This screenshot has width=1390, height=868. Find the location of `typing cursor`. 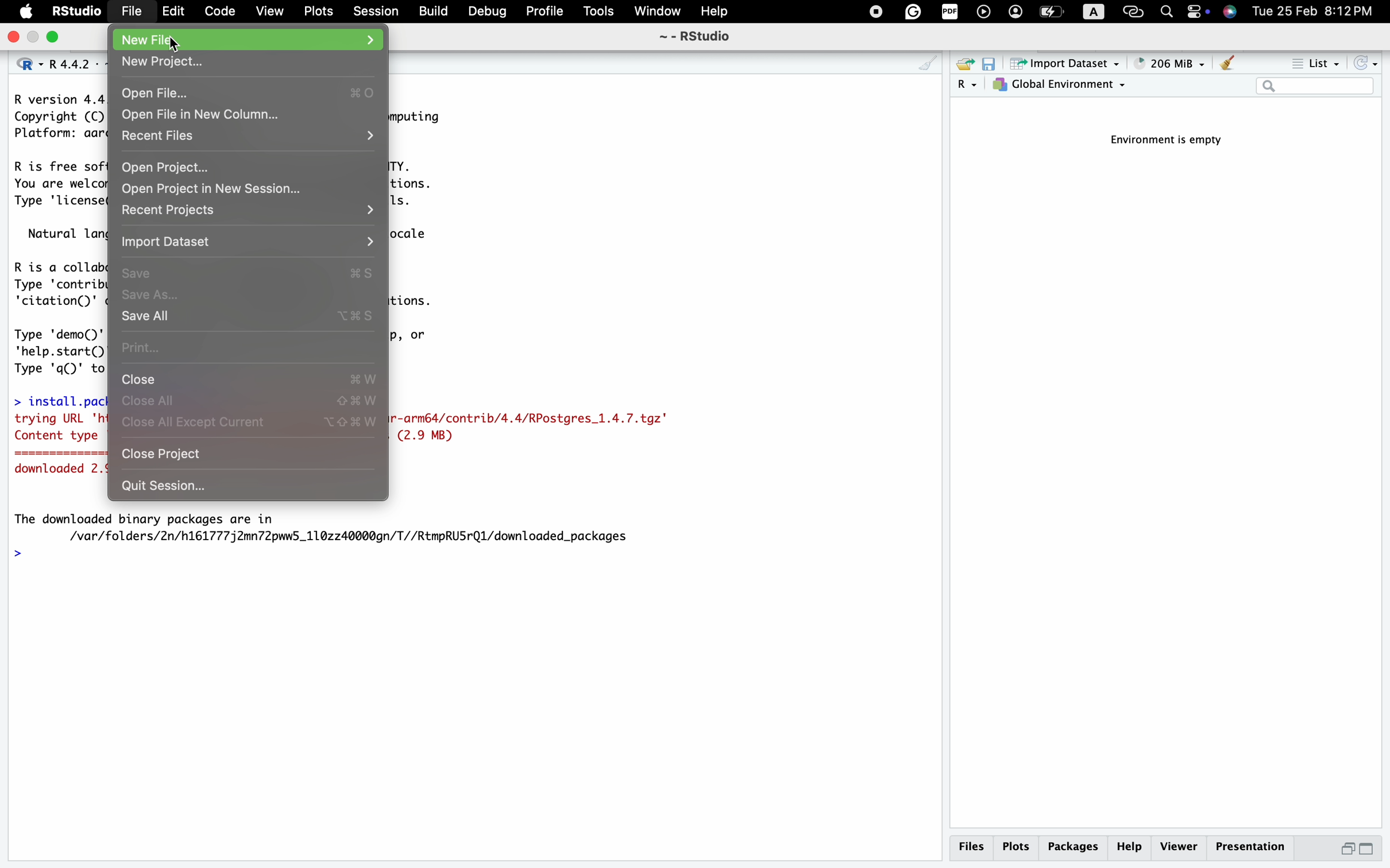

typing cursor is located at coordinates (36, 555).